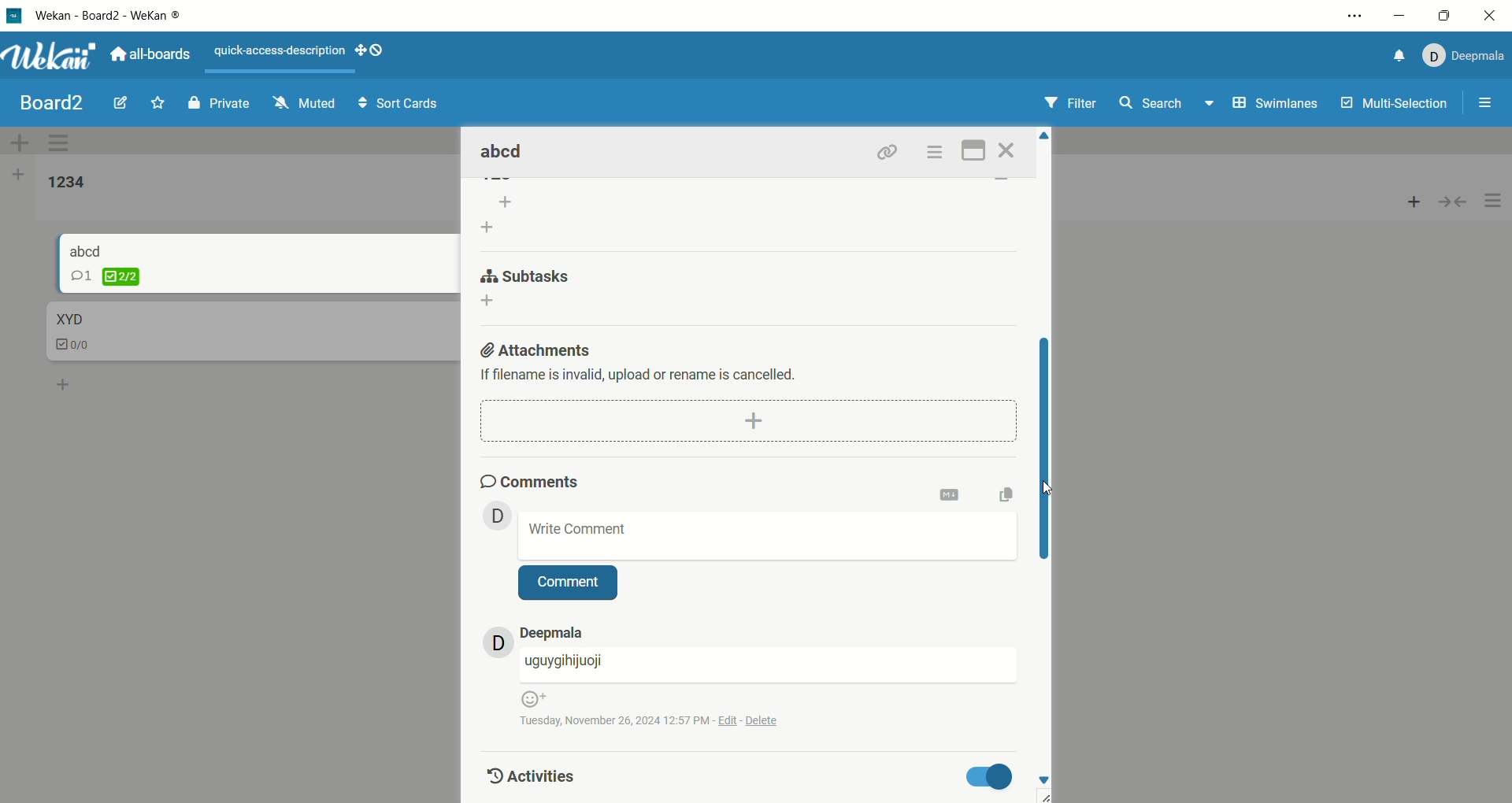  What do you see at coordinates (528, 774) in the screenshot?
I see `activities` at bounding box center [528, 774].